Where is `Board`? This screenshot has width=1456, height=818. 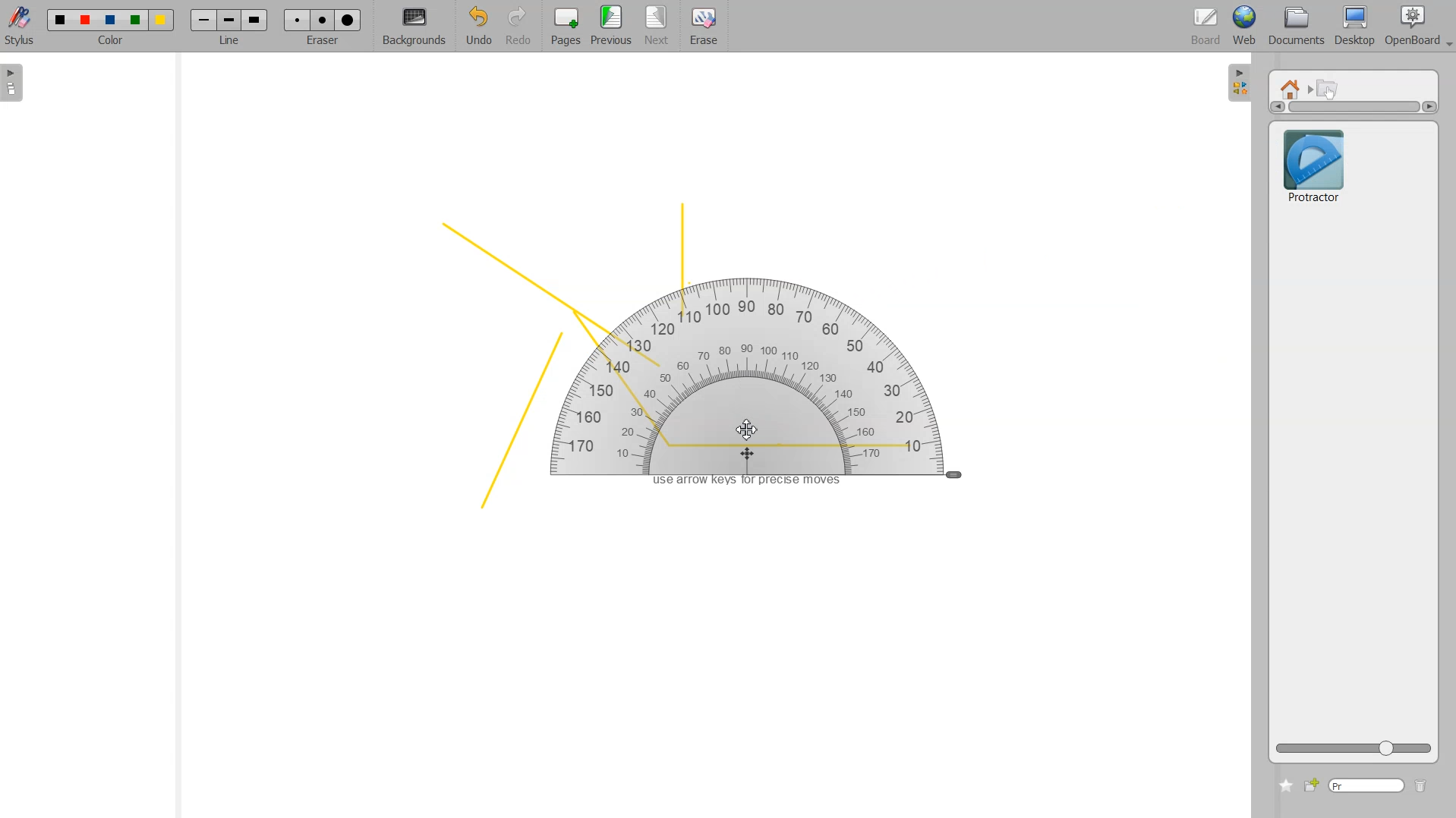
Board is located at coordinates (1206, 27).